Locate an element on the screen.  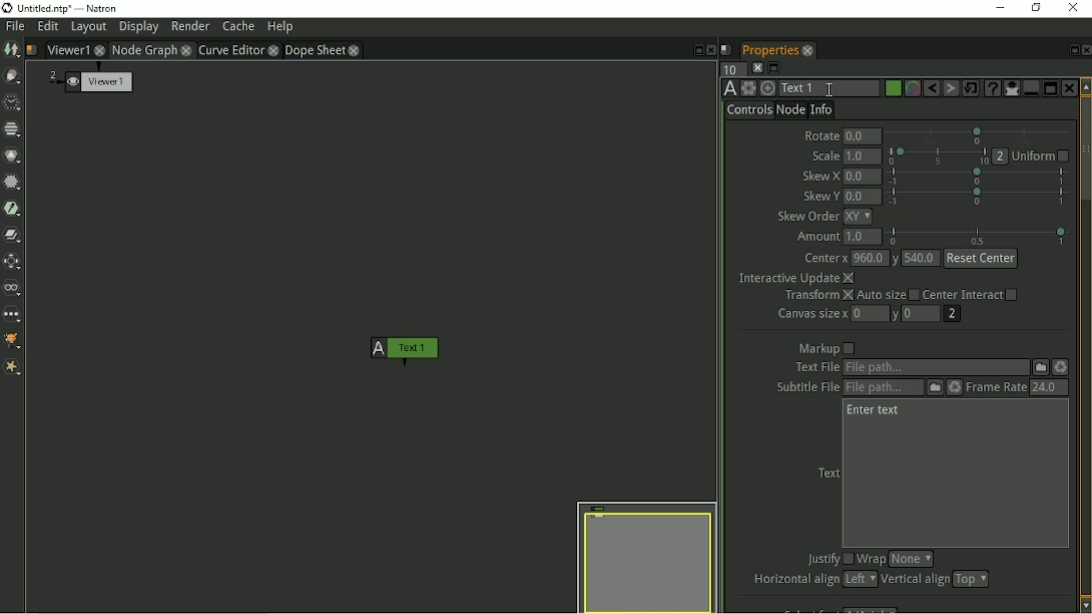
Skew Order is located at coordinates (805, 216).